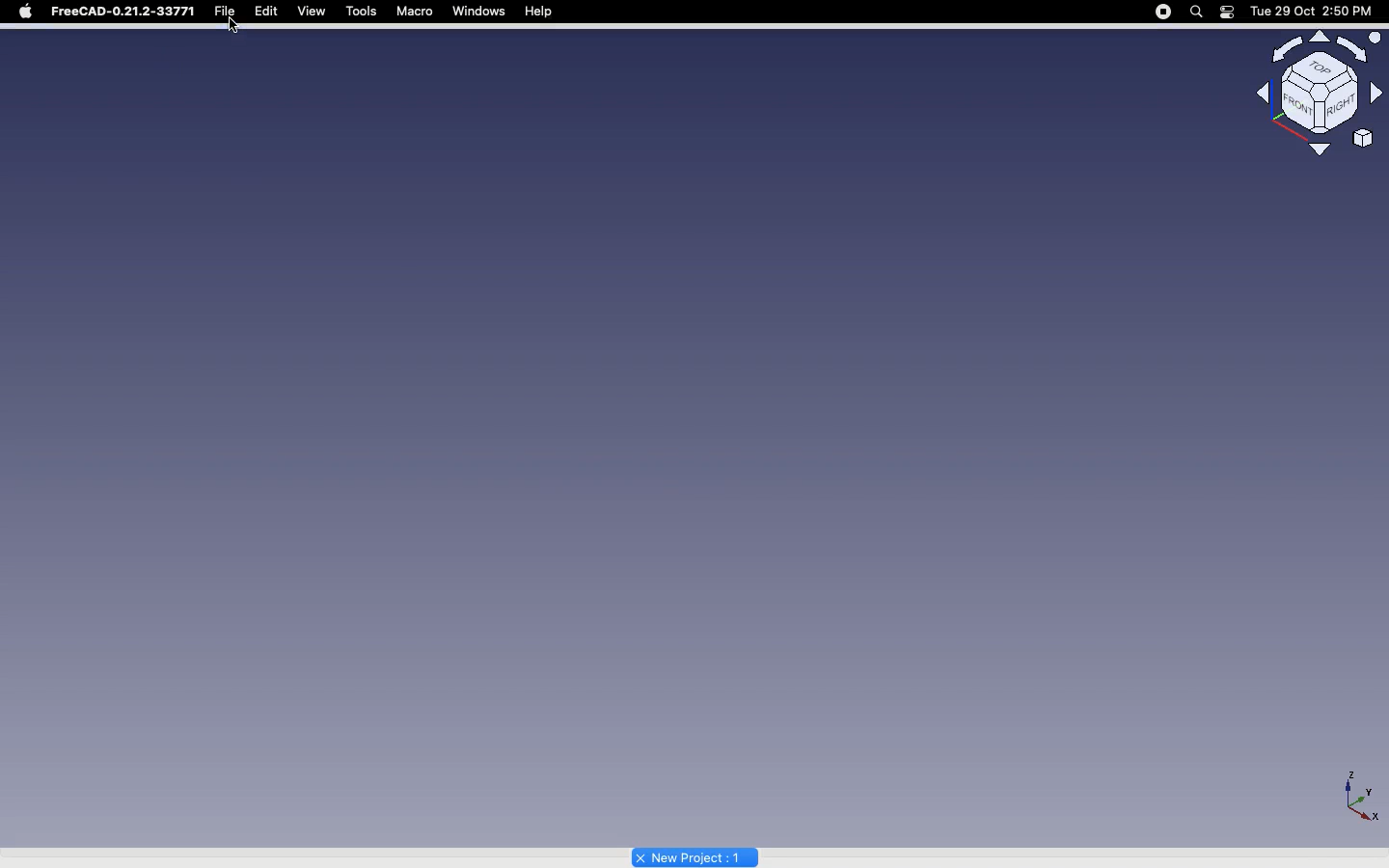  I want to click on Apple logo, so click(26, 12).